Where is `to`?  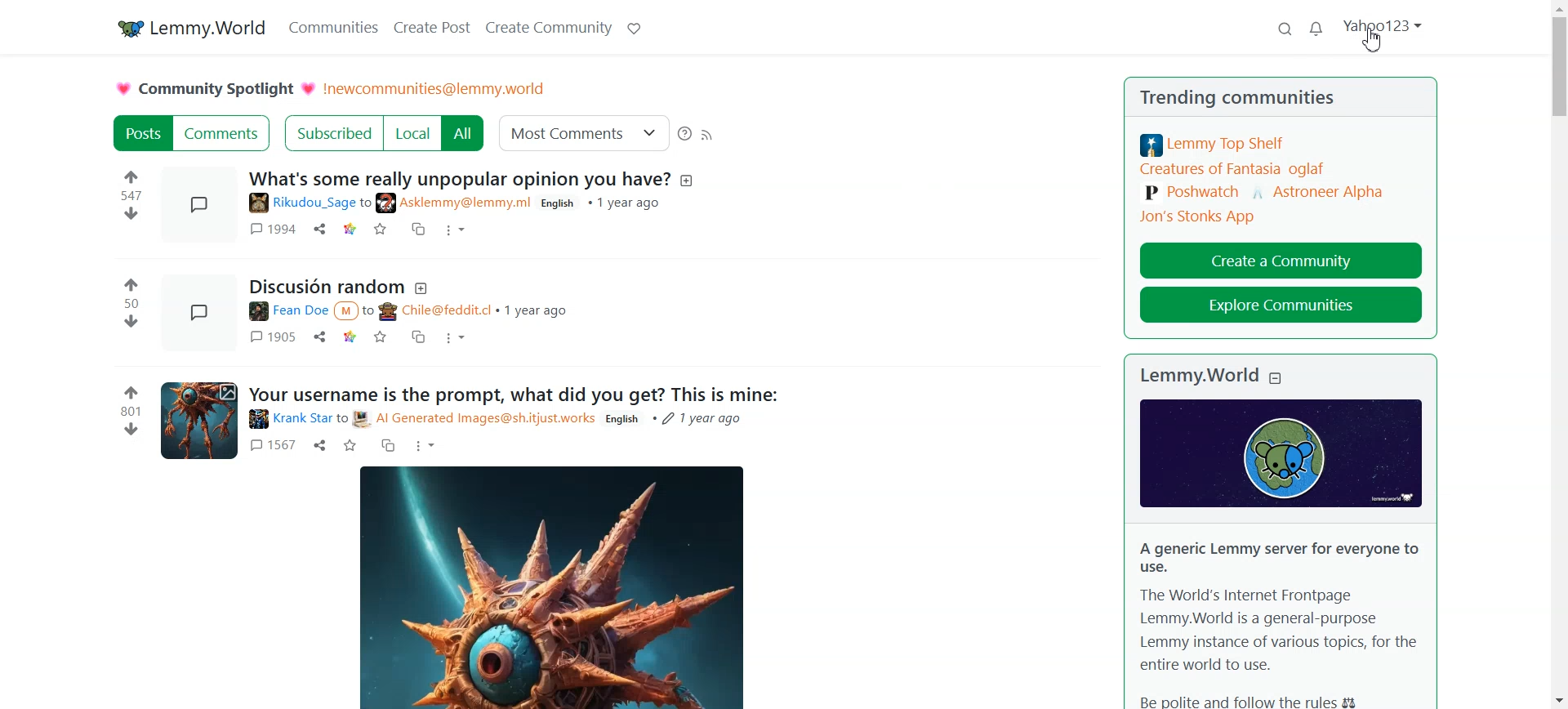
to is located at coordinates (342, 419).